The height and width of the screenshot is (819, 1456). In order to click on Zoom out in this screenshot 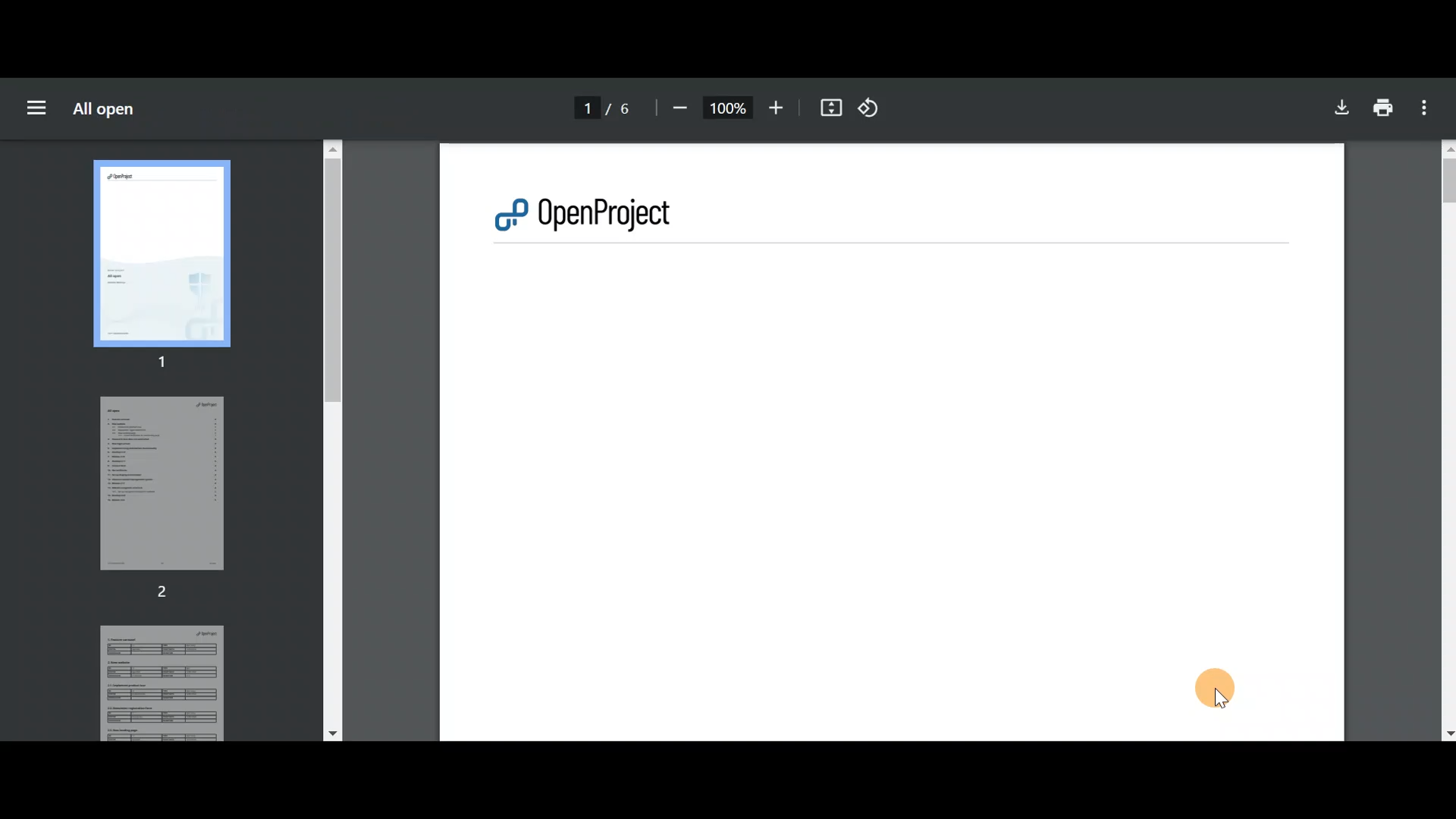, I will do `click(676, 111)`.